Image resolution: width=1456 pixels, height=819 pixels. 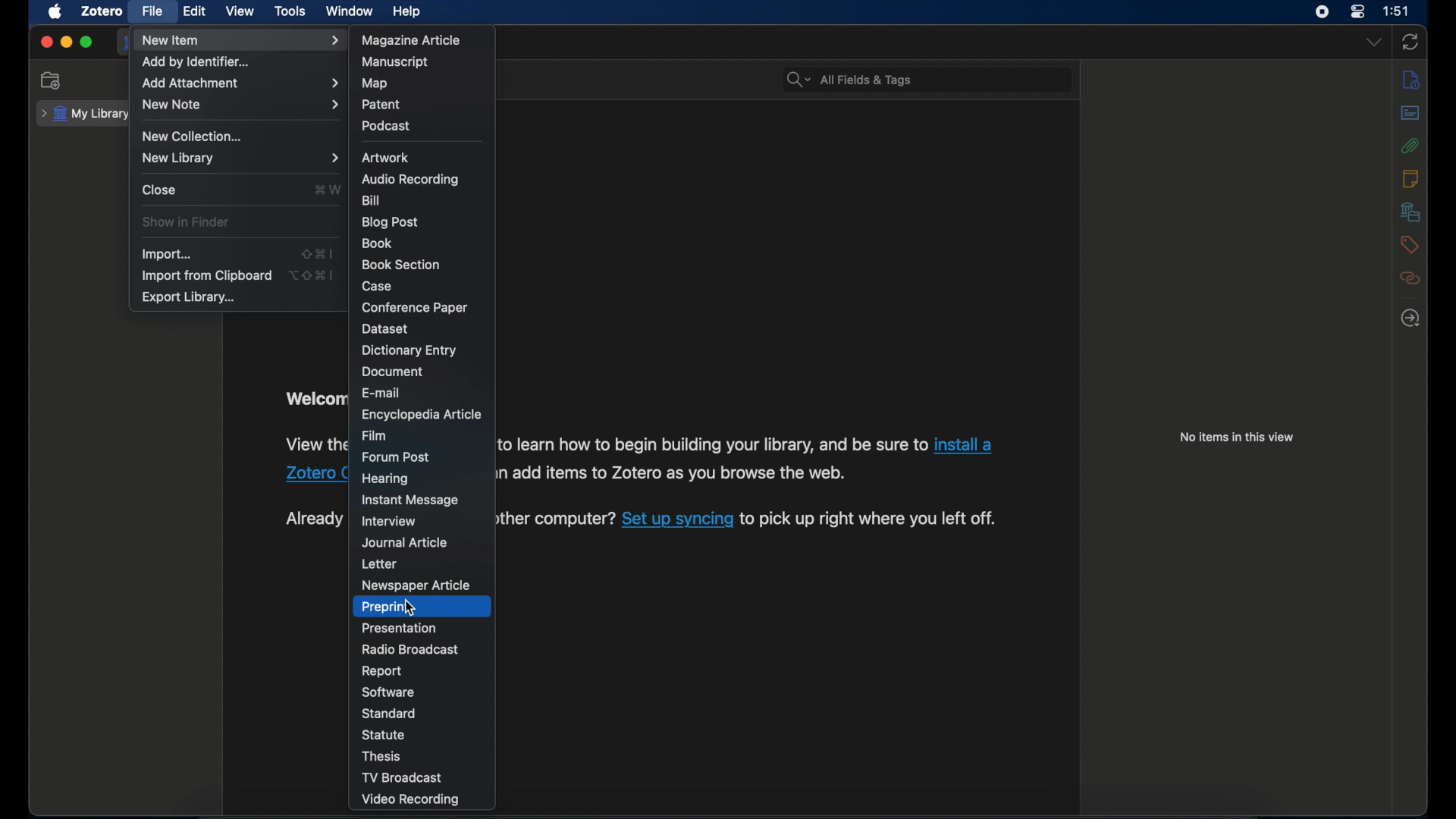 I want to click on video recording, so click(x=411, y=800).